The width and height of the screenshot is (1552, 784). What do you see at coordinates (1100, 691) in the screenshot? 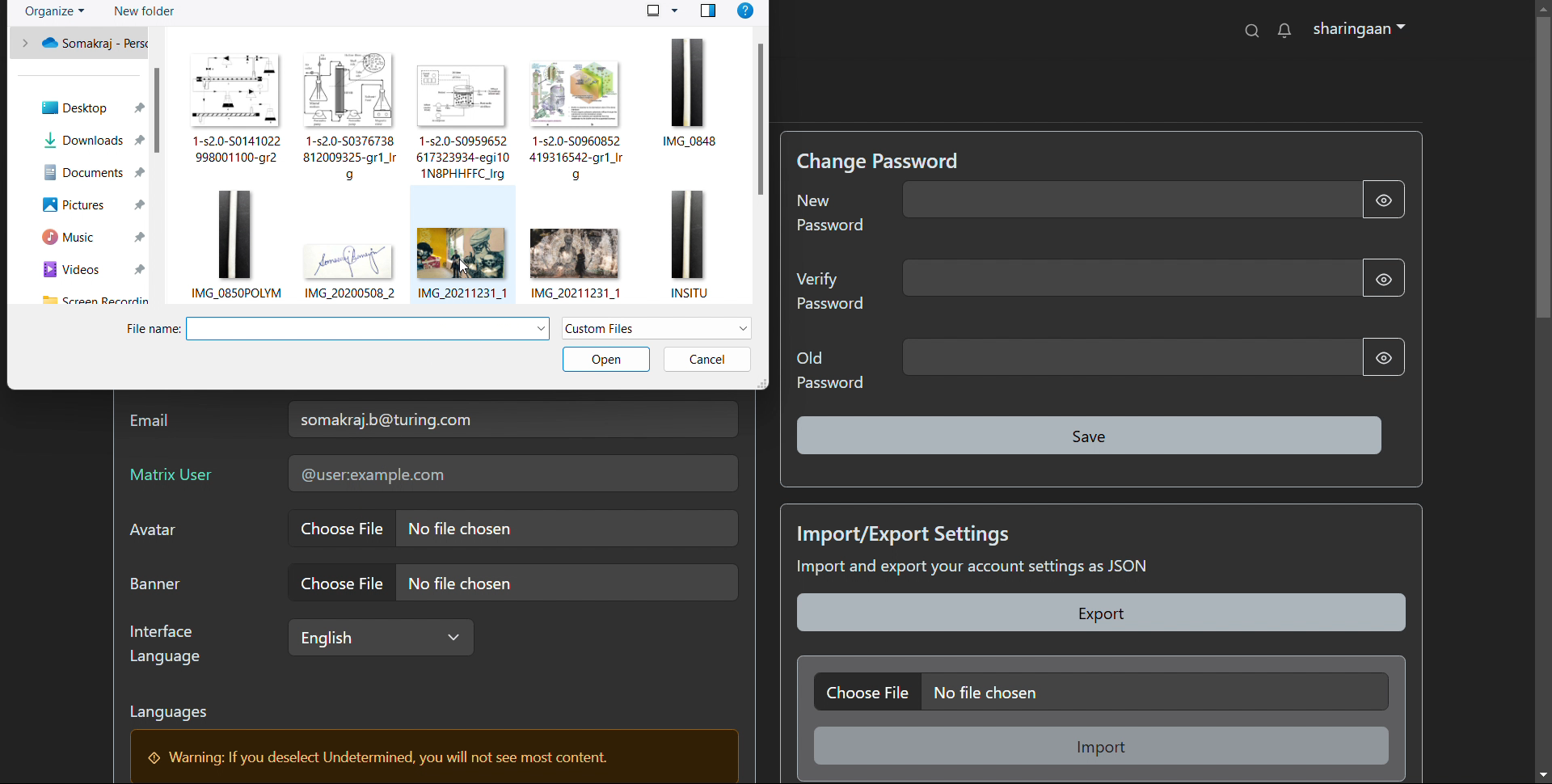
I see `choose file to import` at bounding box center [1100, 691].